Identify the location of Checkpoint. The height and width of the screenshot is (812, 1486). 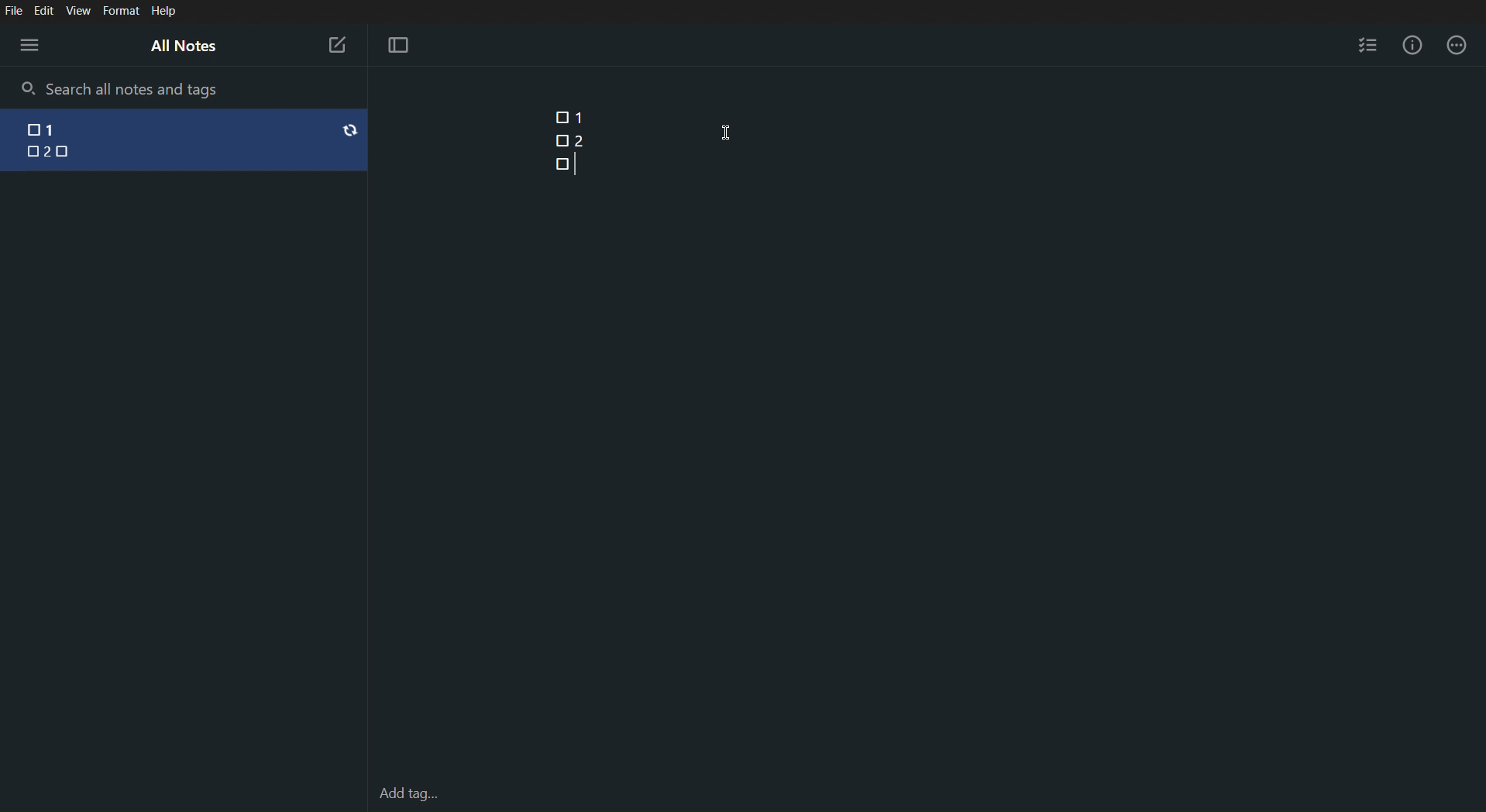
(562, 163).